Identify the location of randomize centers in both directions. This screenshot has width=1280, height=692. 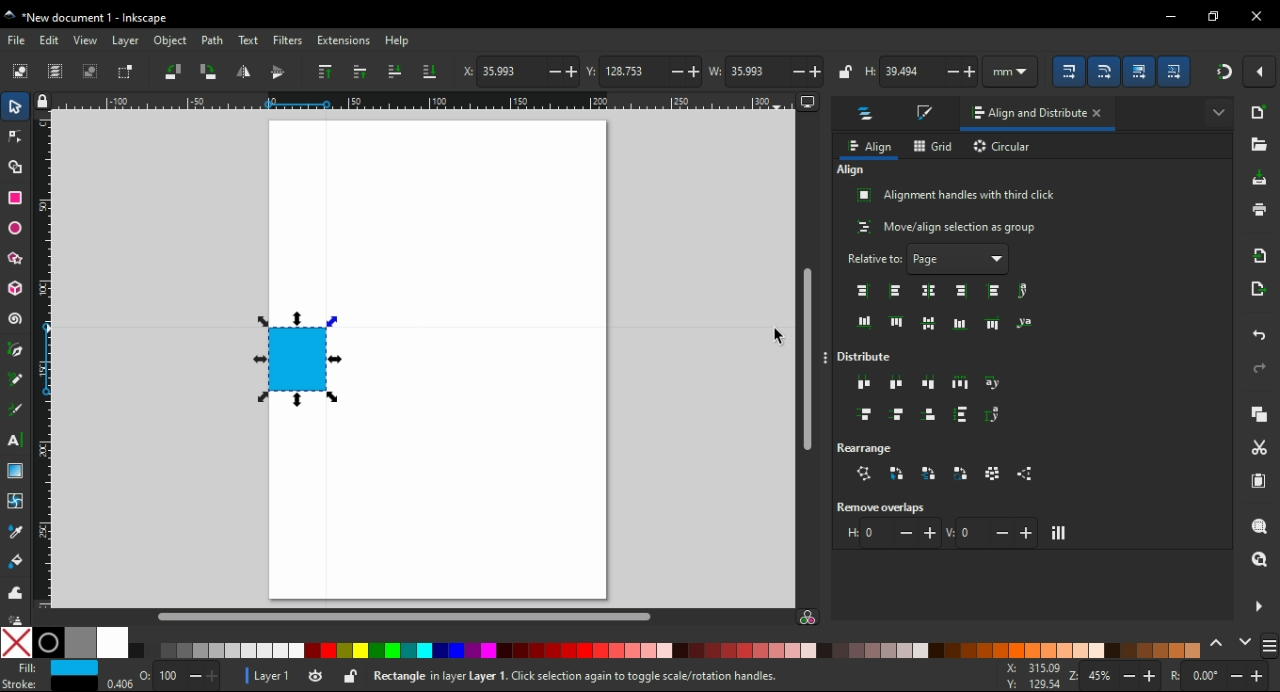
(994, 474).